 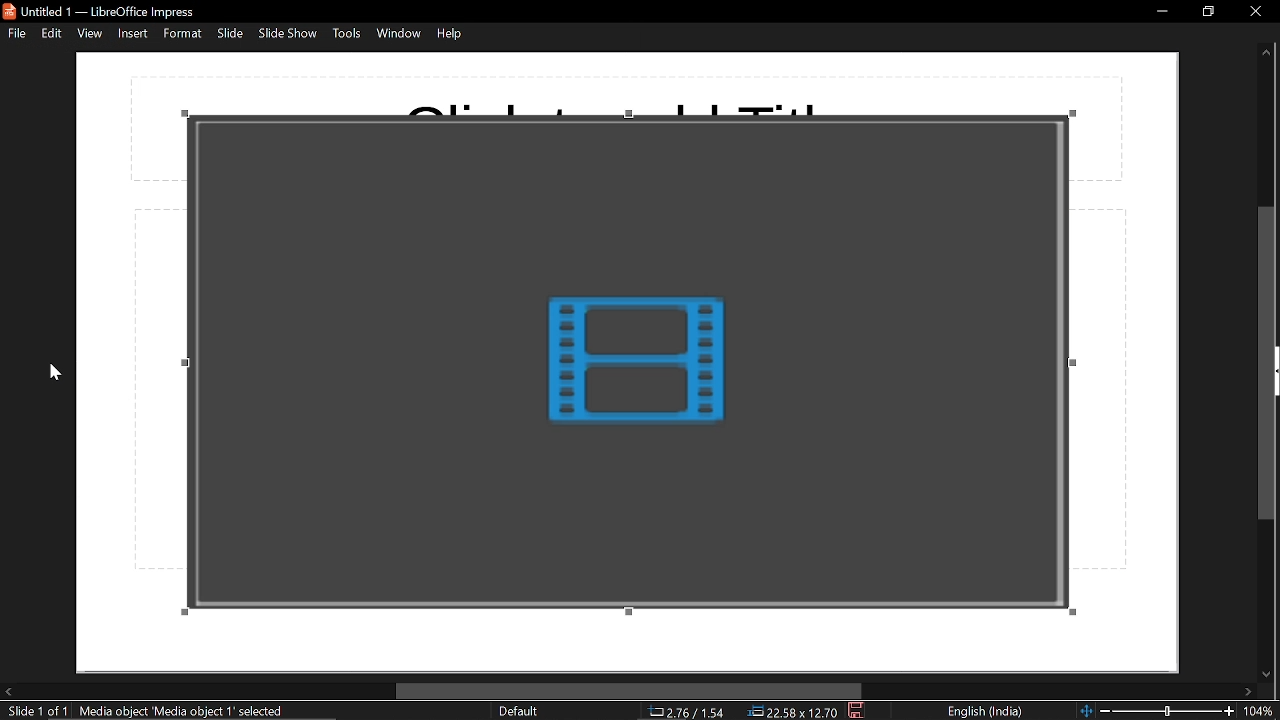 What do you see at coordinates (1157, 712) in the screenshot?
I see `zoom change` at bounding box center [1157, 712].